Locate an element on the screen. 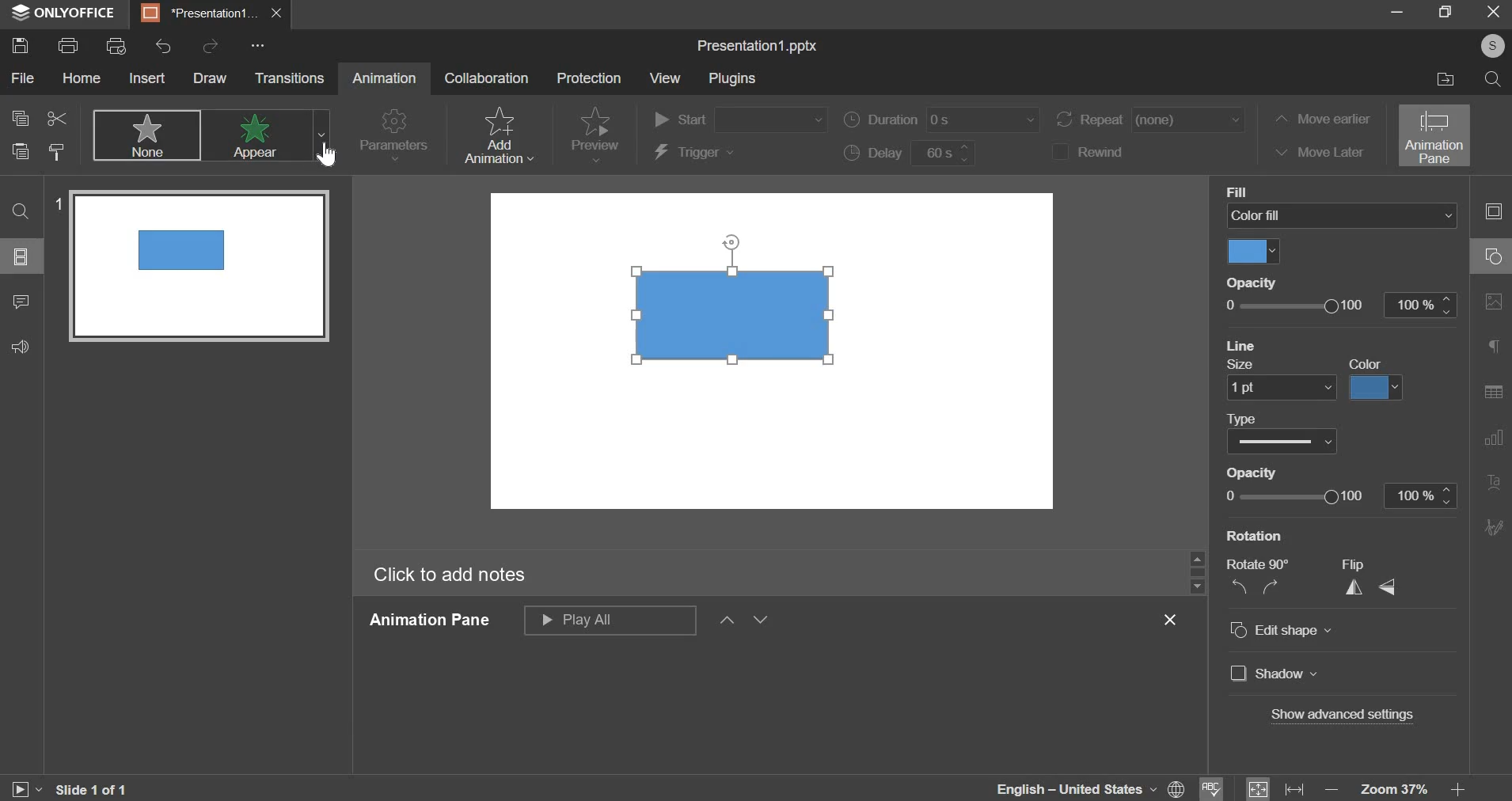  edit shape is located at coordinates (1313, 628).